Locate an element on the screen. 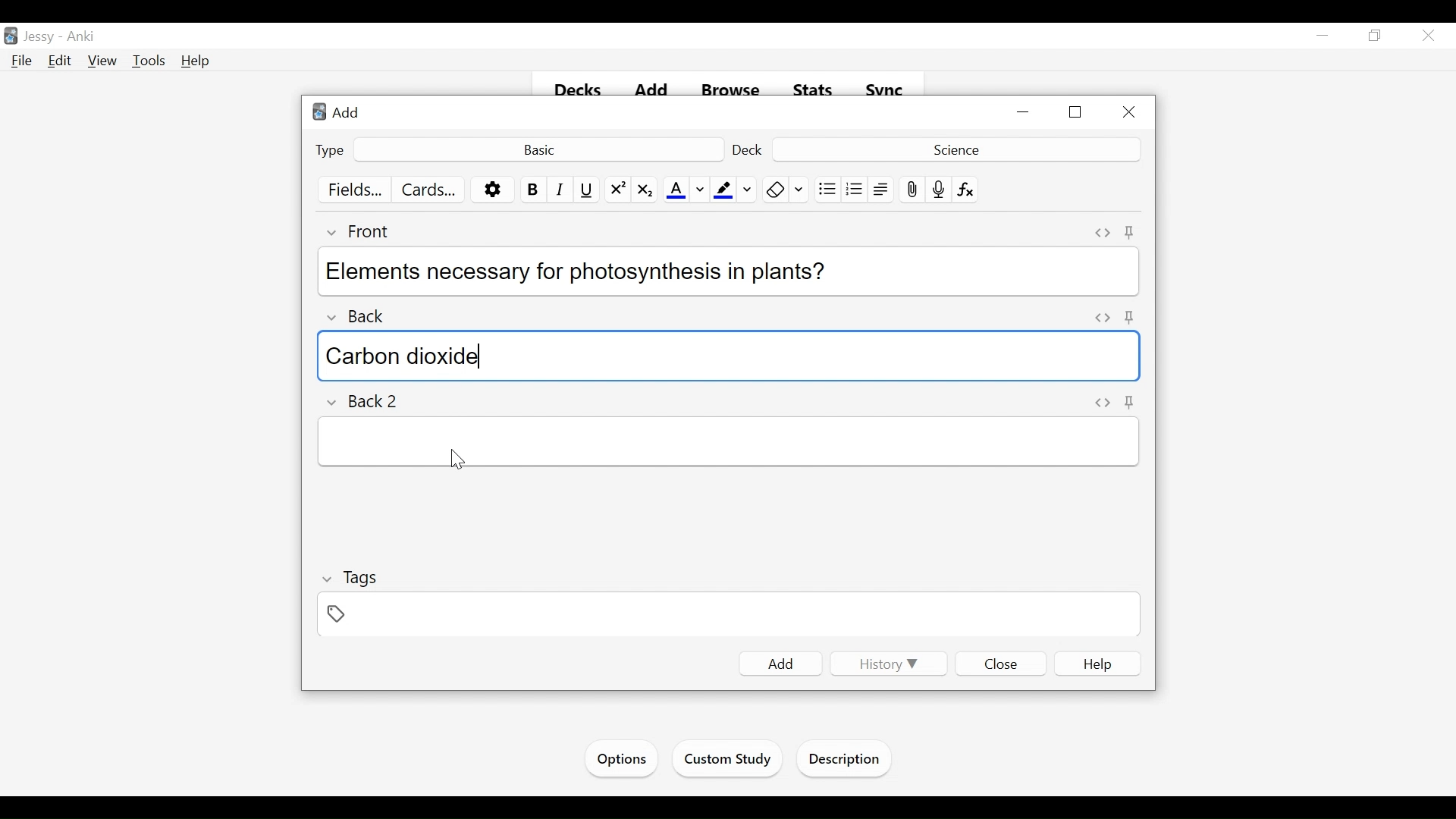 The image size is (1456, 819). Tags Field is located at coordinates (730, 616).